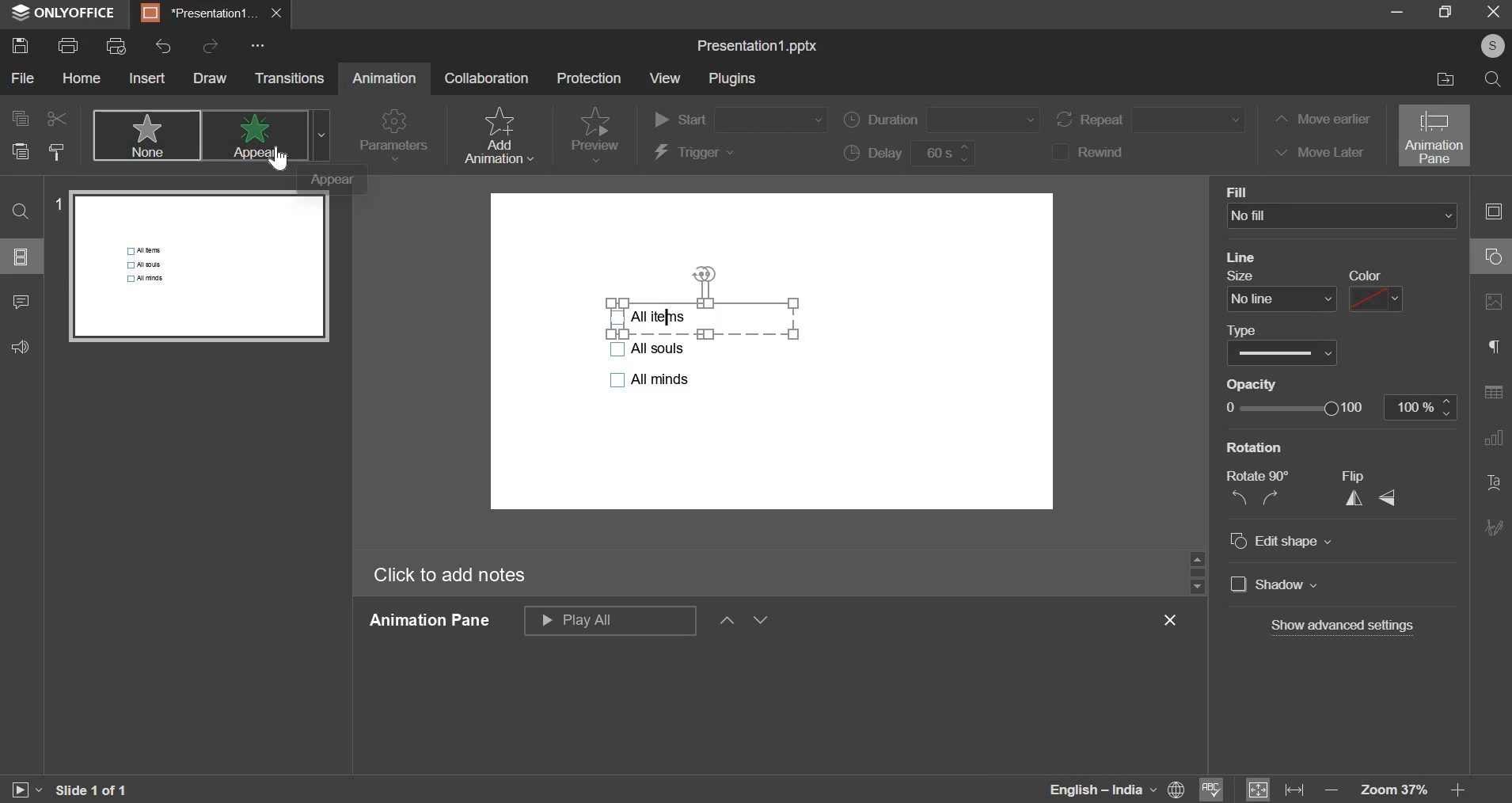 Image resolution: width=1512 pixels, height=803 pixels. What do you see at coordinates (90, 790) in the screenshot?
I see `slide 1 of 1` at bounding box center [90, 790].